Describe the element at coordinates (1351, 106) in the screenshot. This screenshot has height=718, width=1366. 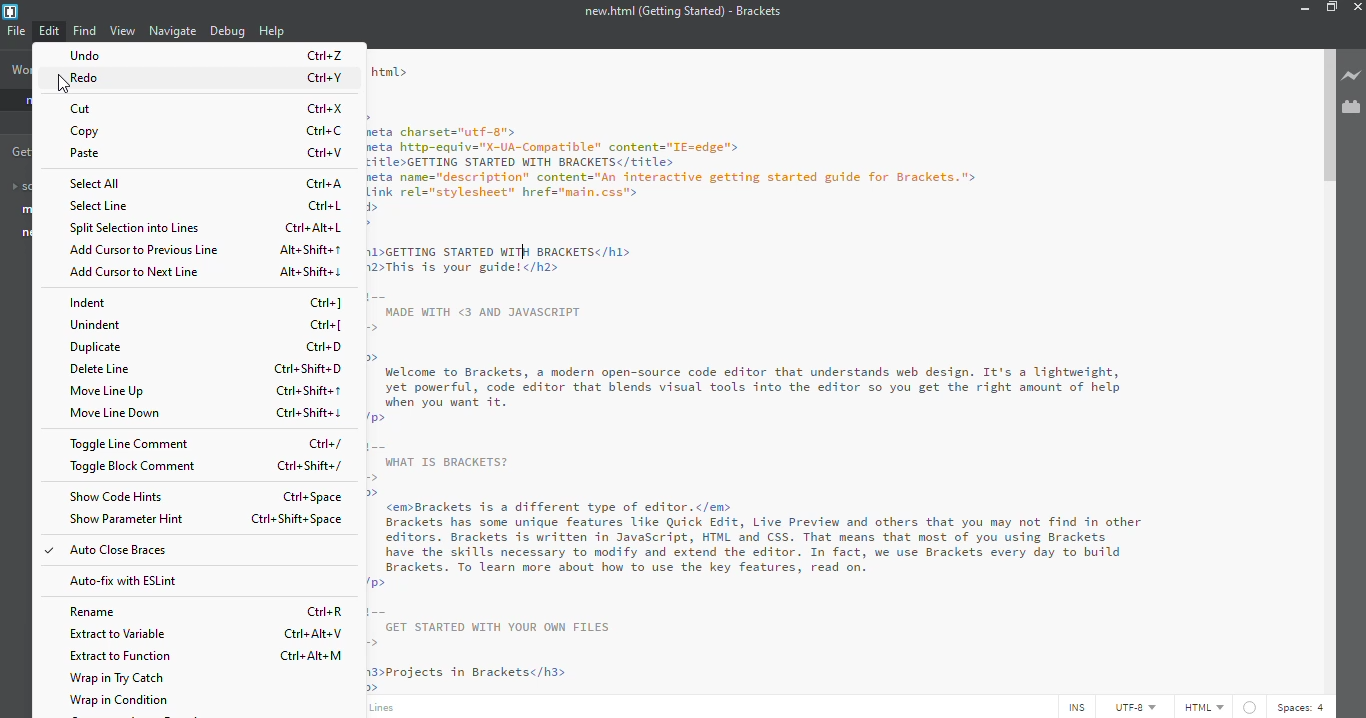
I see `enable extension` at that location.